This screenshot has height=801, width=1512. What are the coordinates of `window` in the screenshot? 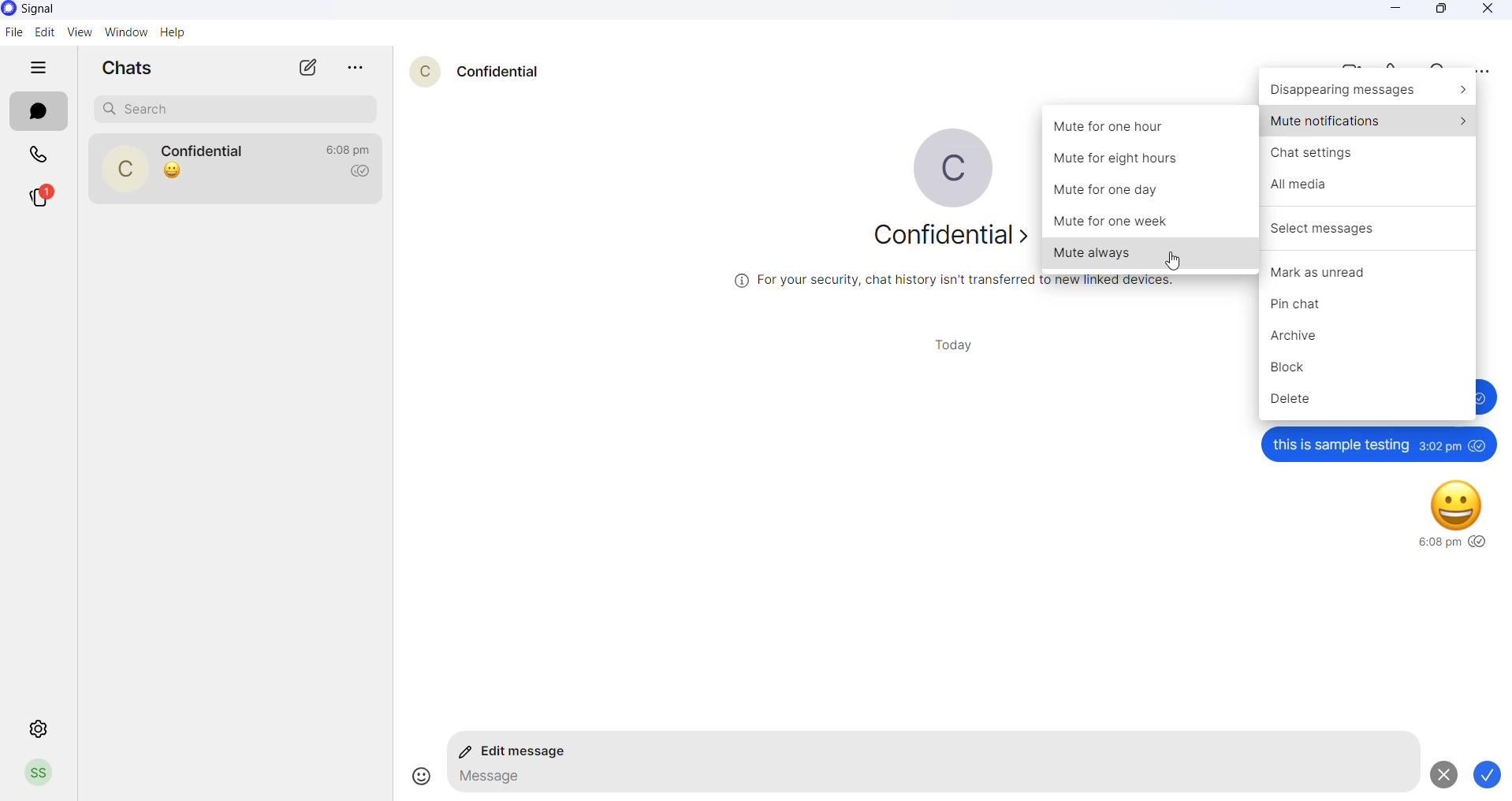 It's located at (123, 34).